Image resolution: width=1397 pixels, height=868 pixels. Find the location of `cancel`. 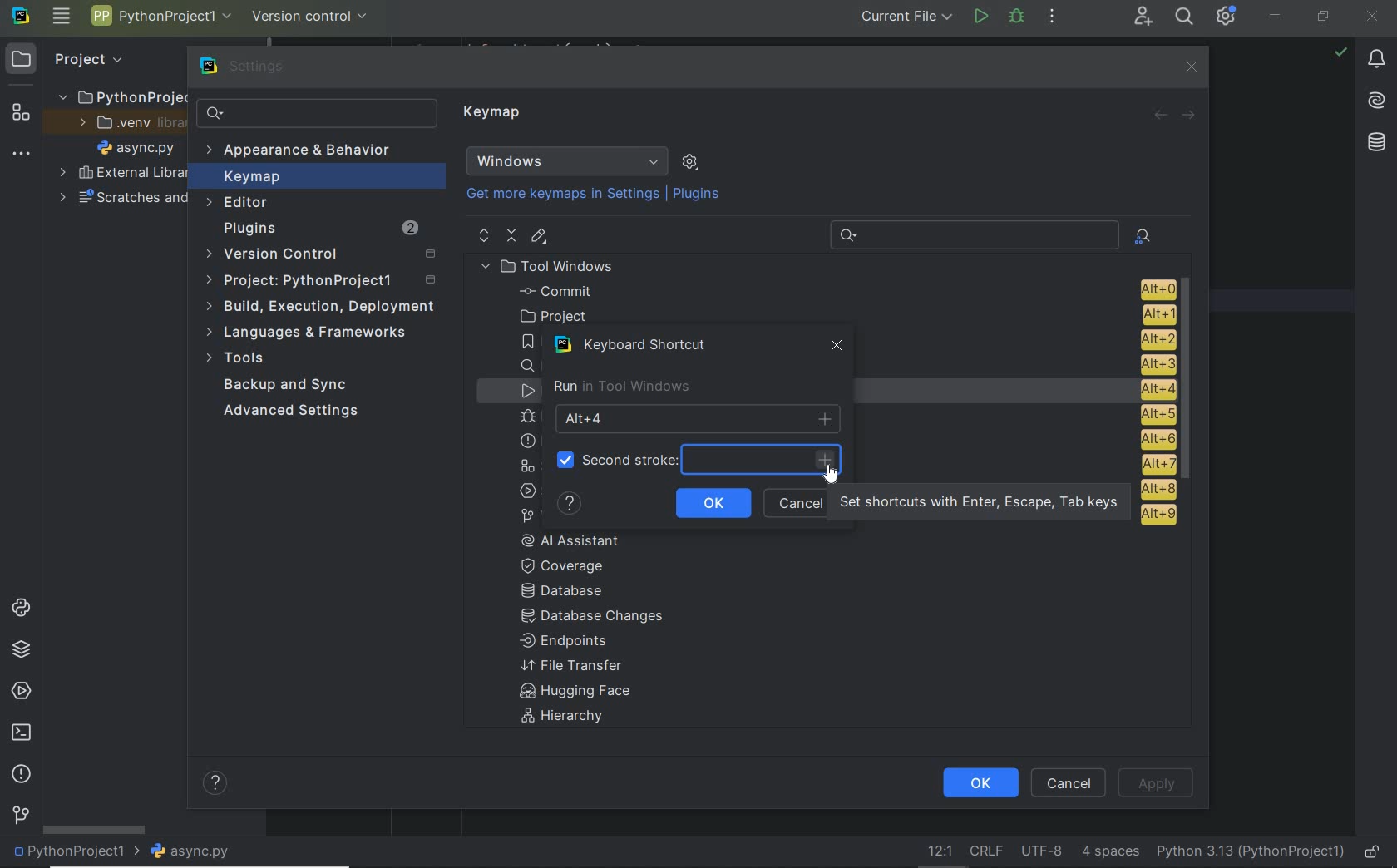

cancel is located at coordinates (796, 501).